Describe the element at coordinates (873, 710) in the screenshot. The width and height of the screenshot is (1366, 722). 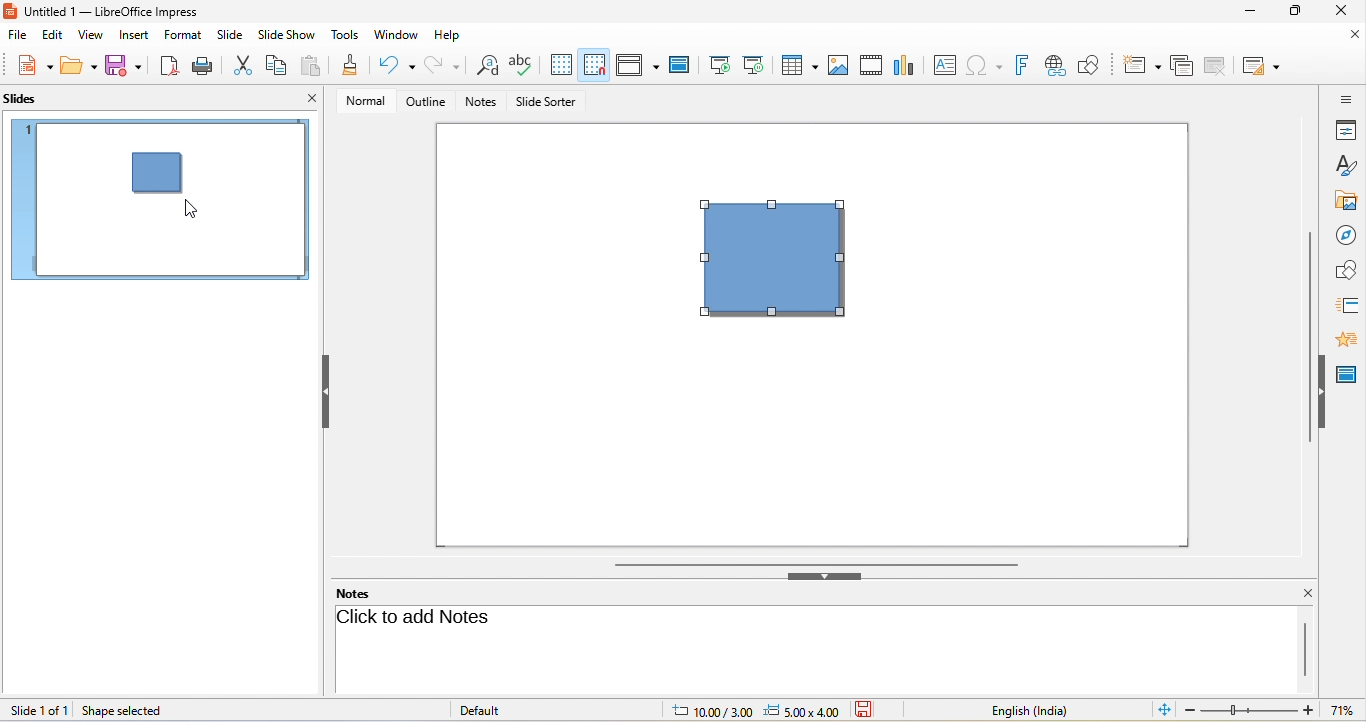
I see `the document has not been modified since the last save` at that location.